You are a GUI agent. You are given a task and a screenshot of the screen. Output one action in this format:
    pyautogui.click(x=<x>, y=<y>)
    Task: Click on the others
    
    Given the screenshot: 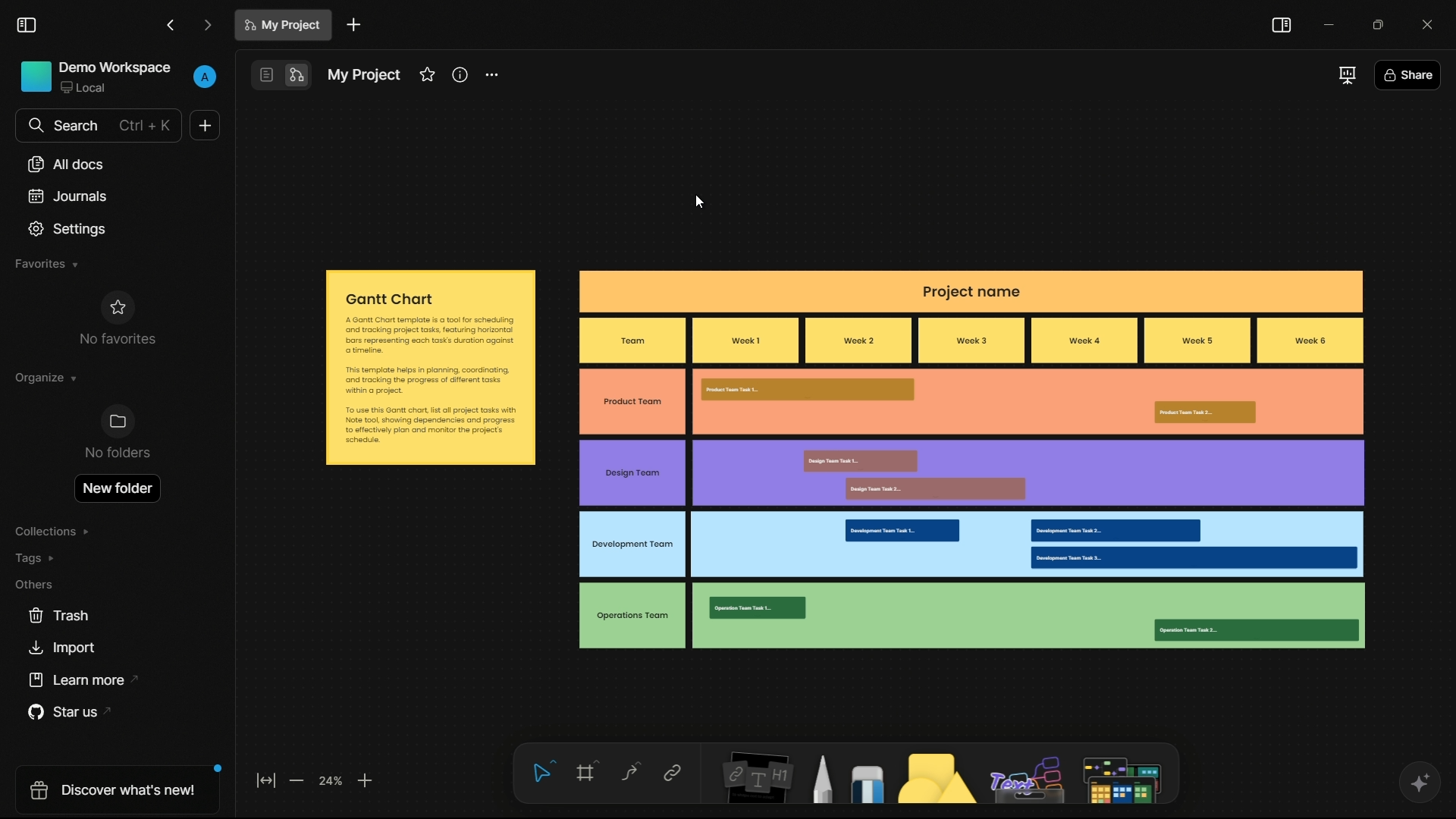 What is the action you would take?
    pyautogui.click(x=35, y=584)
    